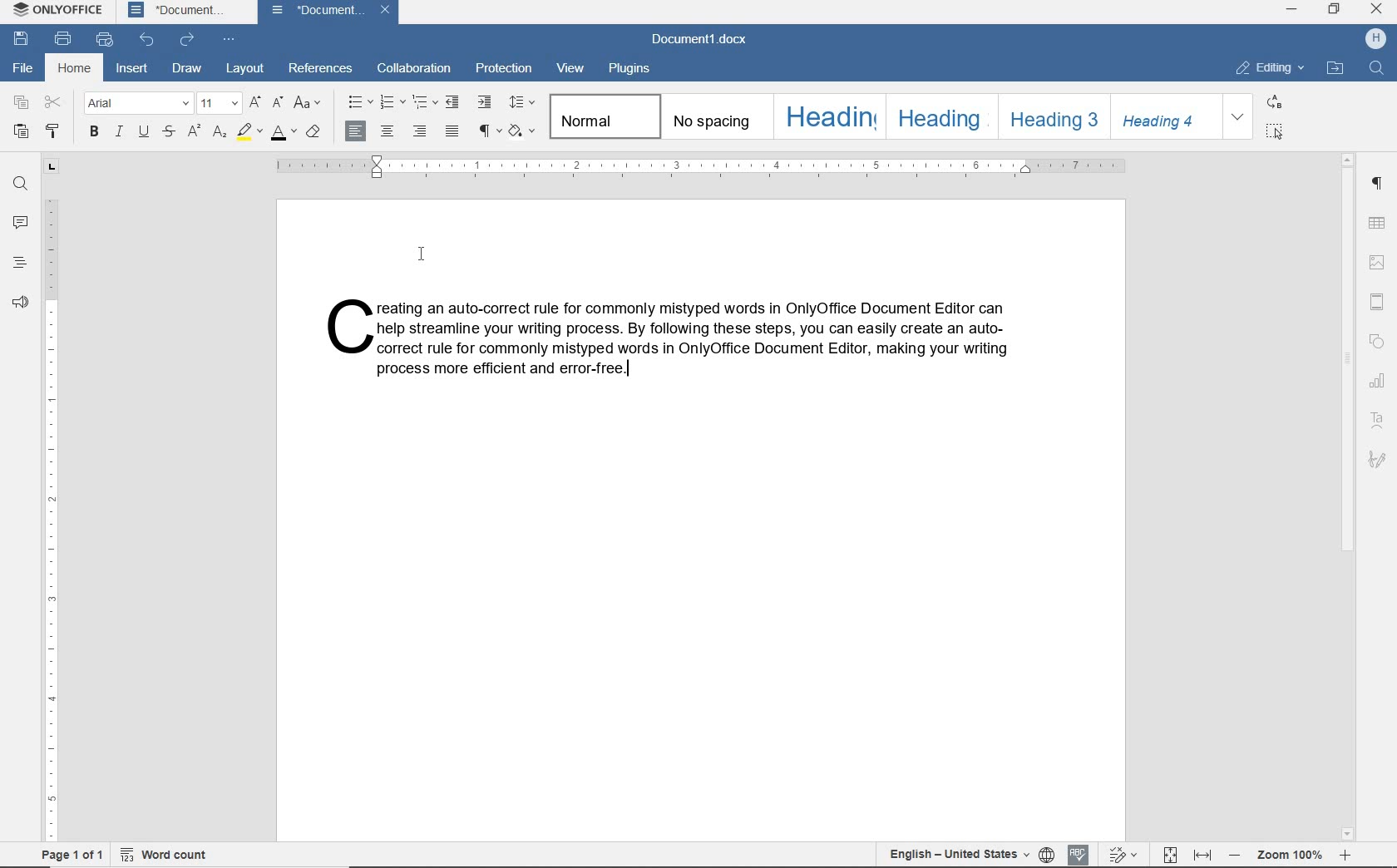 The height and width of the screenshot is (868, 1397). What do you see at coordinates (329, 12) in the screenshot?
I see `DOCUMENT NAME` at bounding box center [329, 12].